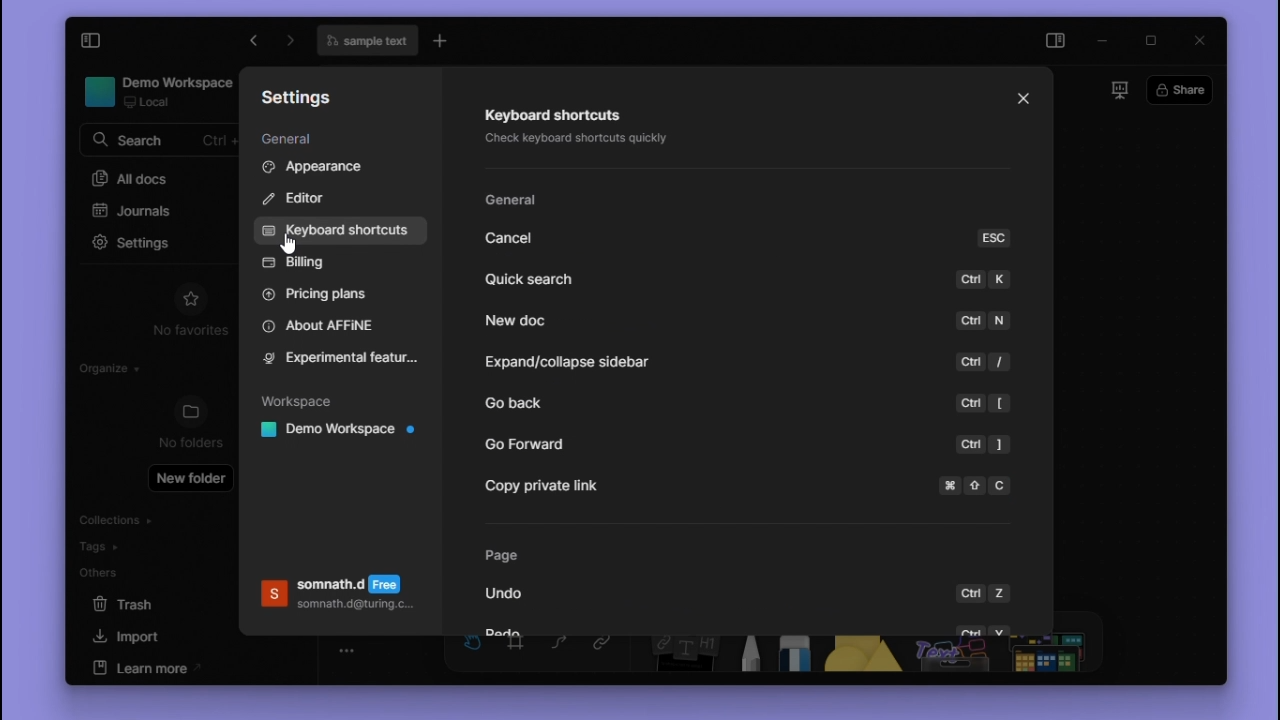 The width and height of the screenshot is (1280, 720). I want to click on side panel, so click(1058, 40).